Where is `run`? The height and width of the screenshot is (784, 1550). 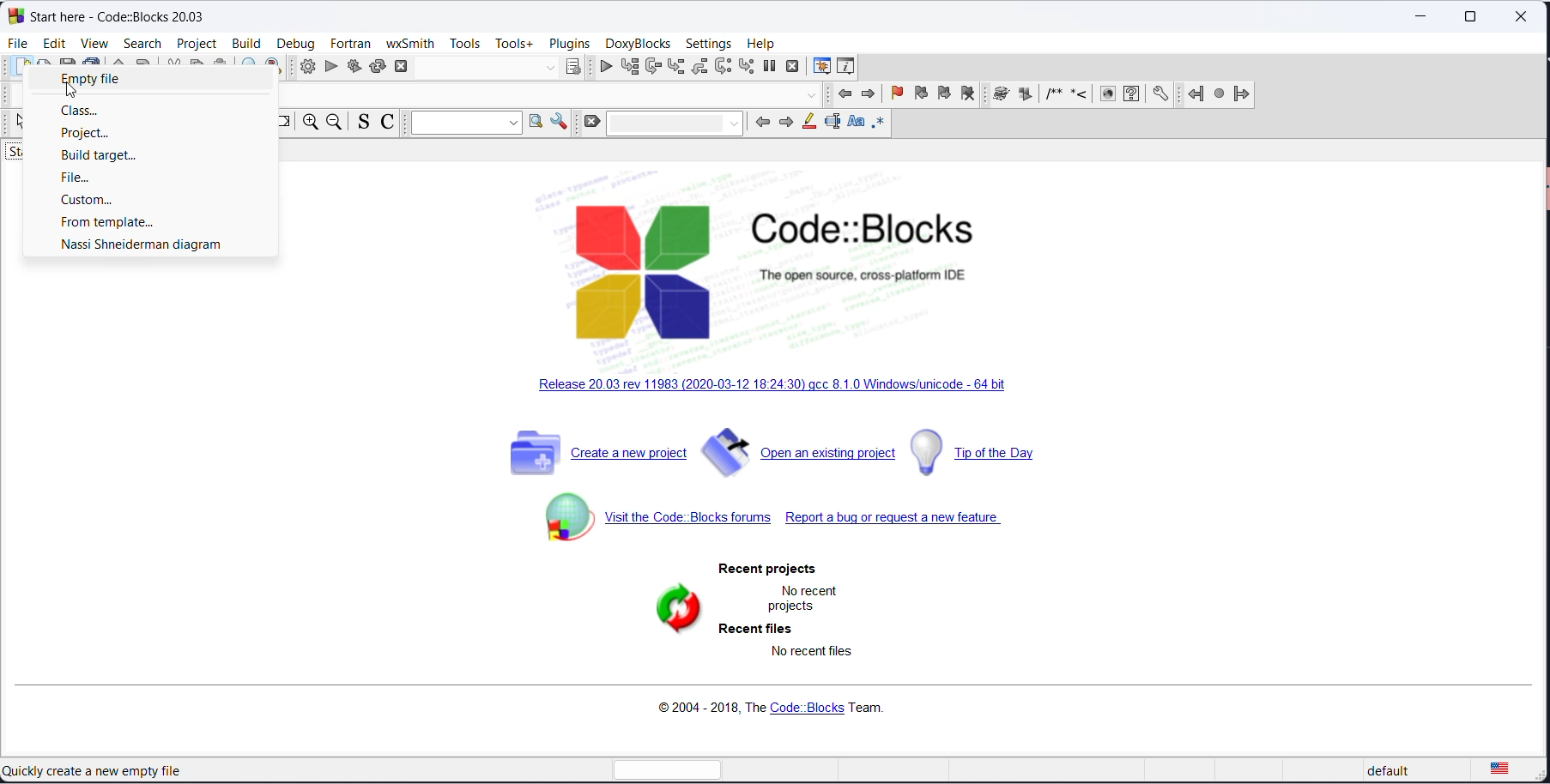 run is located at coordinates (329, 66).